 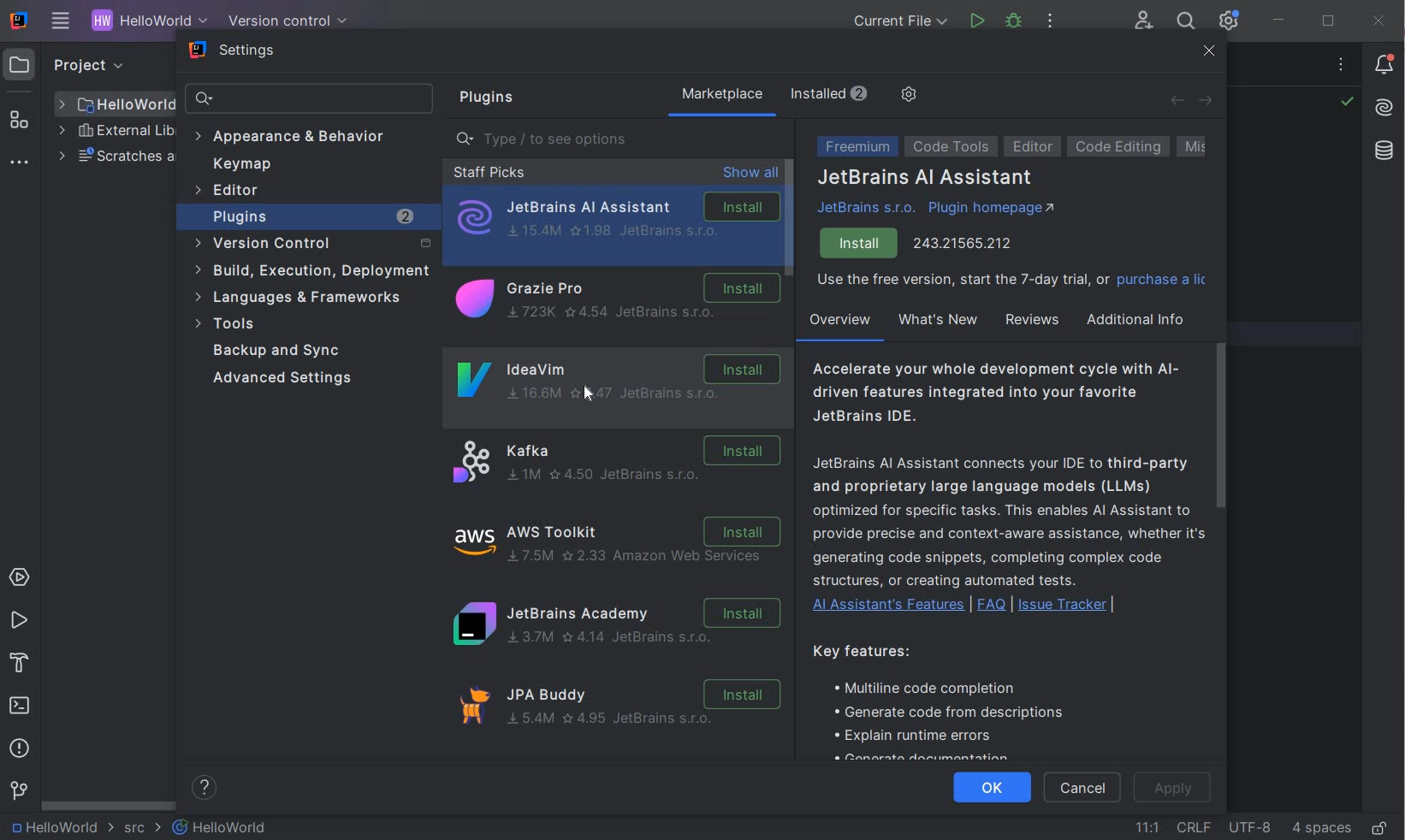 What do you see at coordinates (21, 120) in the screenshot?
I see `STRUCTURE` at bounding box center [21, 120].